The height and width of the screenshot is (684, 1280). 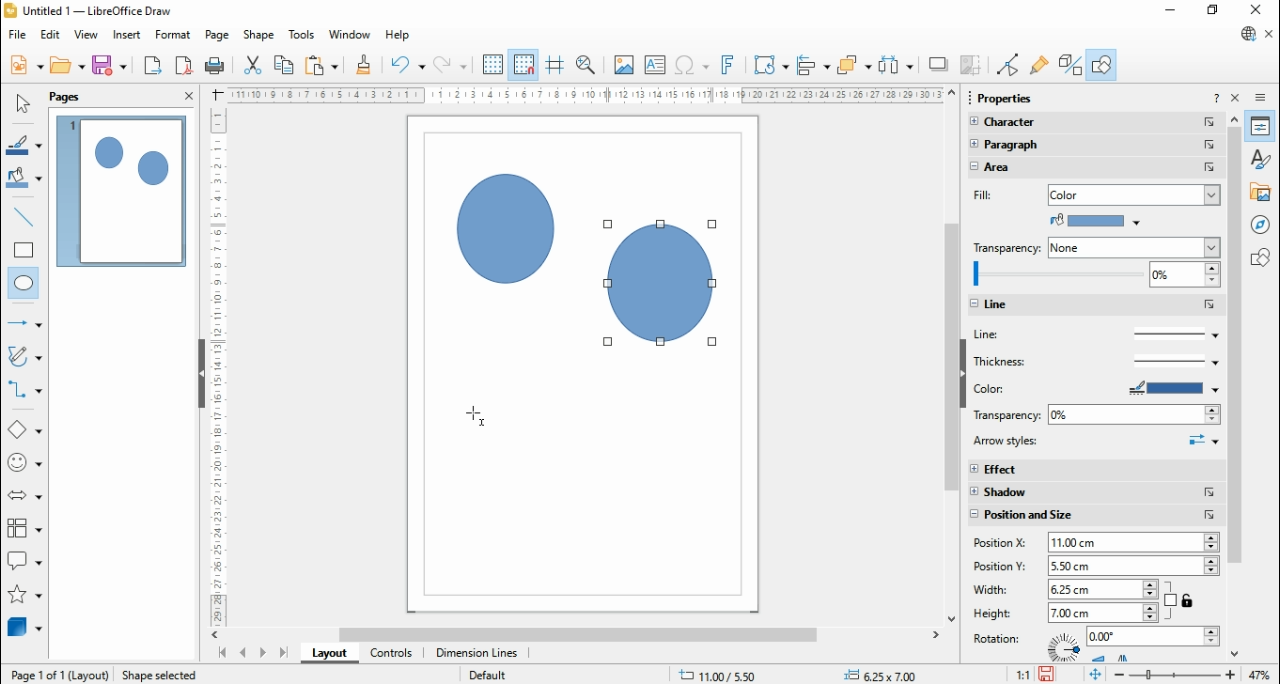 I want to click on transperency, so click(x=1009, y=247).